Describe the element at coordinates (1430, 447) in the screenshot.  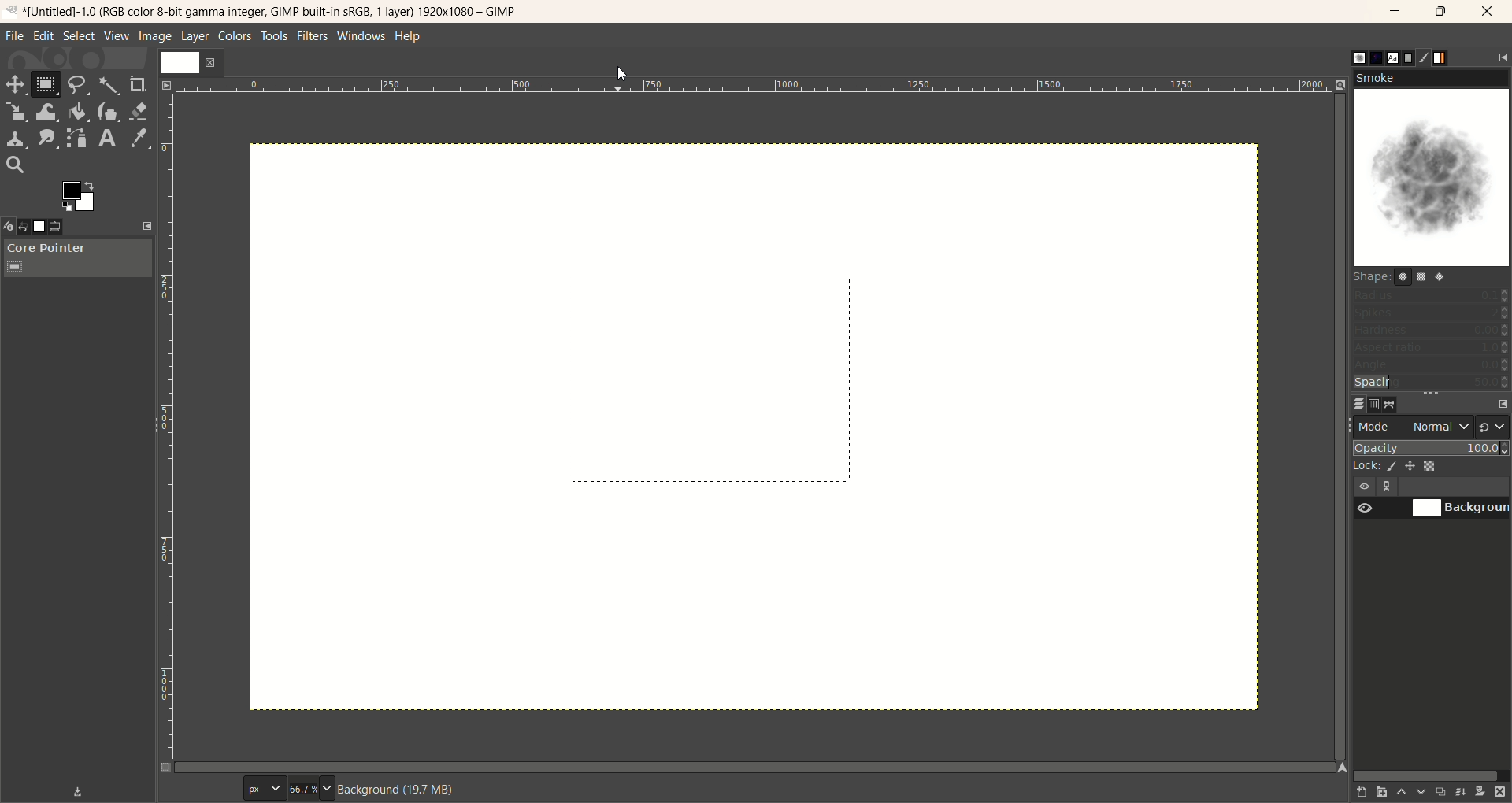
I see `opacity` at that location.